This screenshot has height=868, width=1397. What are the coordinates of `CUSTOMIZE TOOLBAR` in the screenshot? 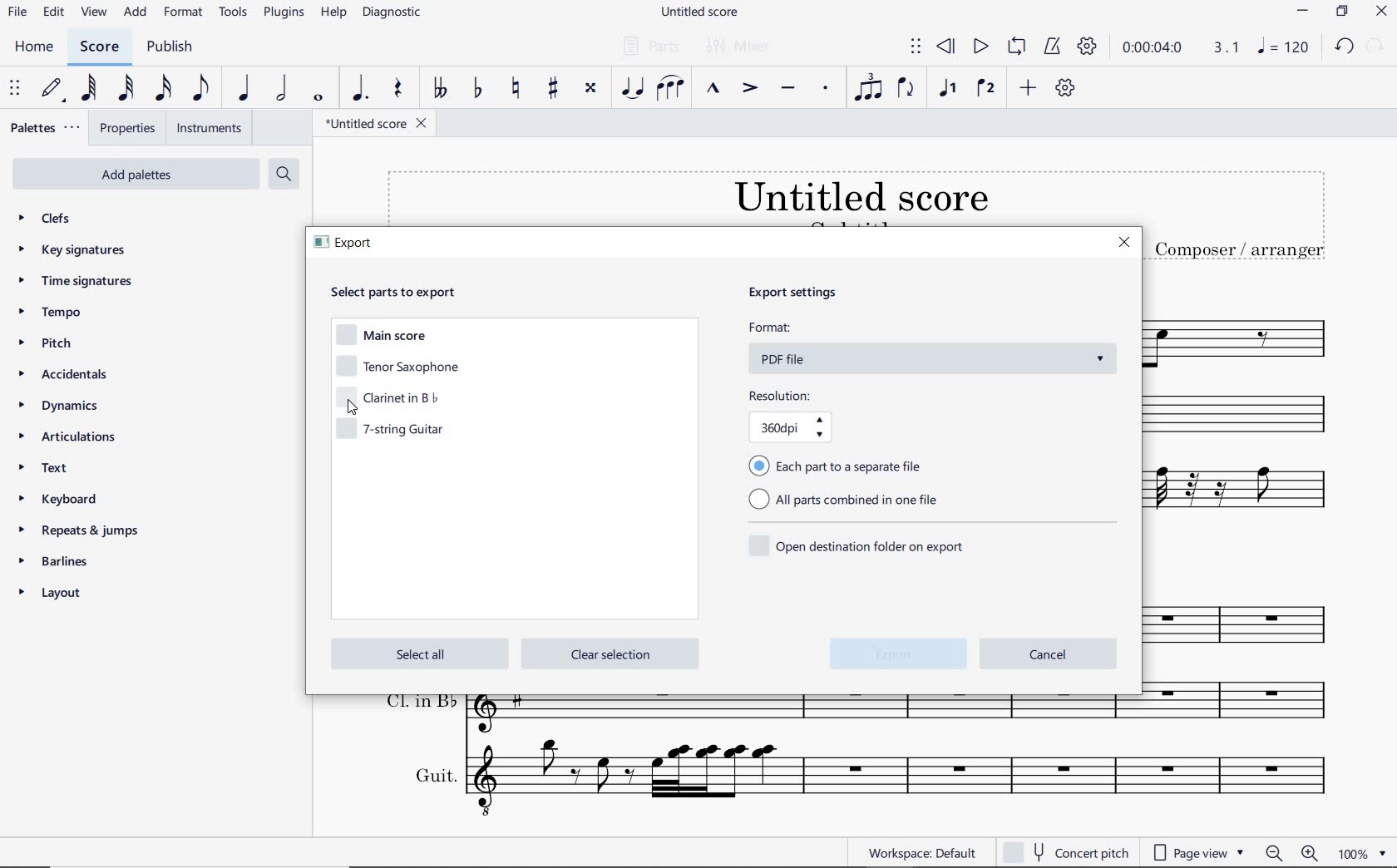 It's located at (1064, 87).